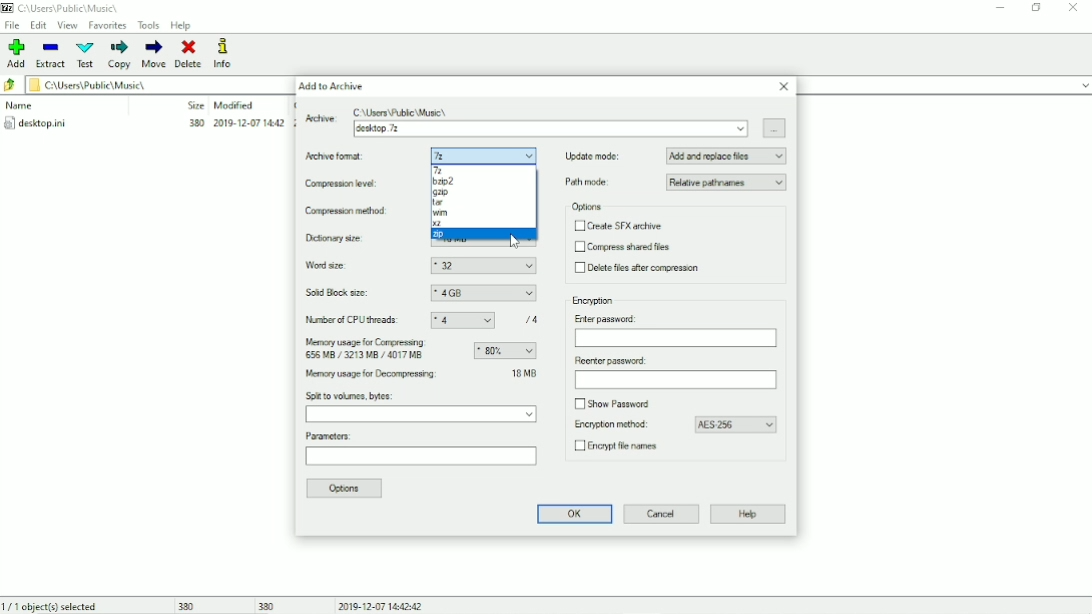  I want to click on Close, so click(1074, 7).